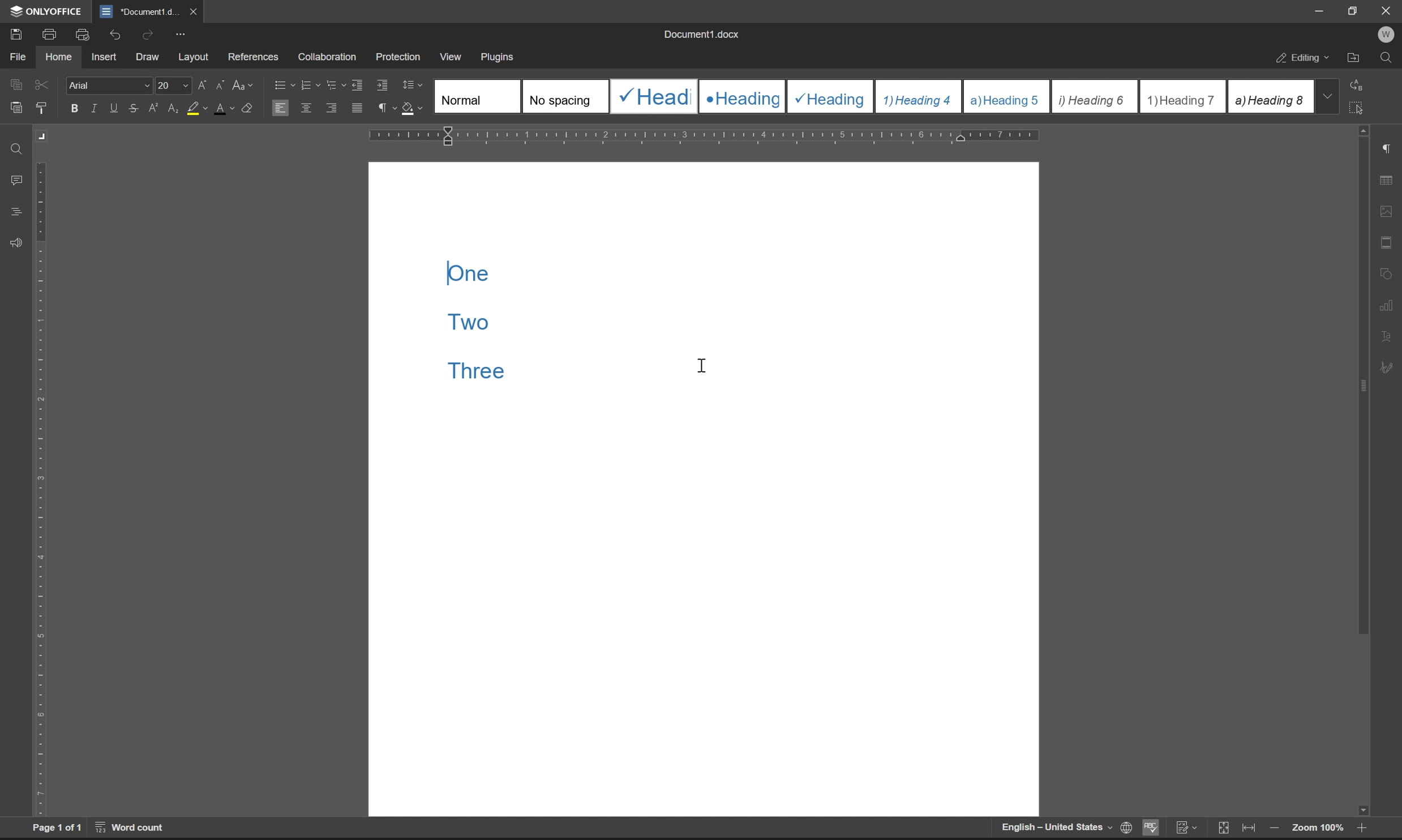 Image resolution: width=1402 pixels, height=840 pixels. Describe the element at coordinates (1007, 96) in the screenshot. I see `Heading 5` at that location.